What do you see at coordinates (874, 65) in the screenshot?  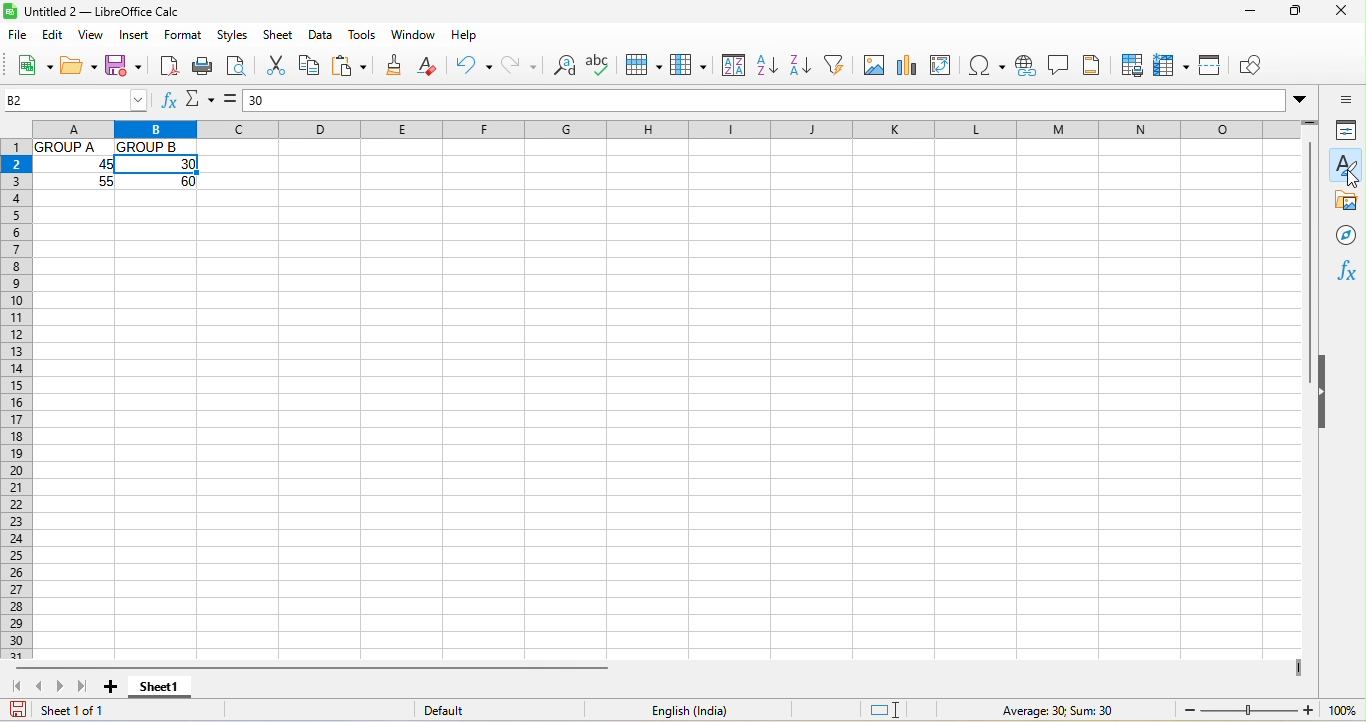 I see `image` at bounding box center [874, 65].